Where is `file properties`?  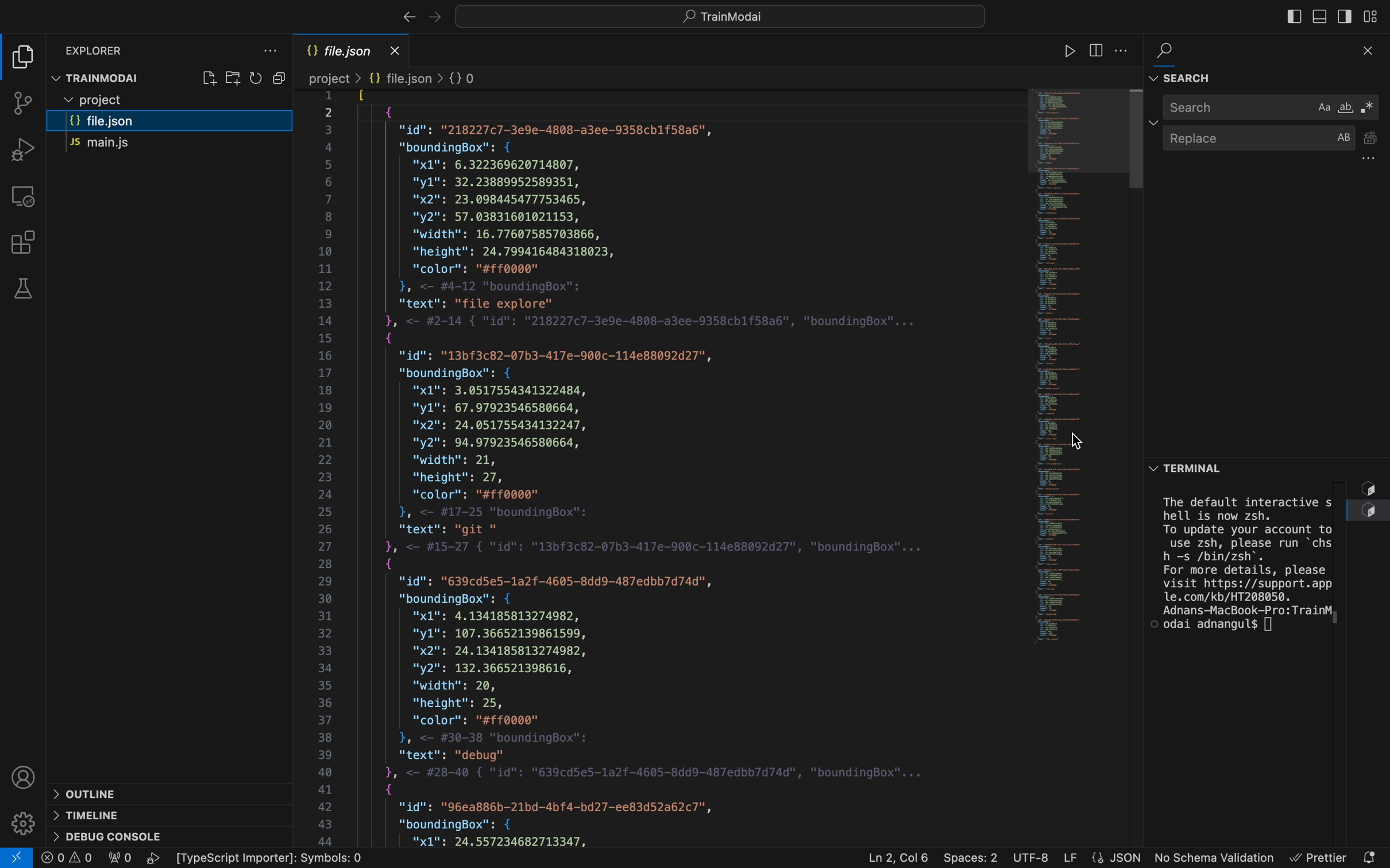
file properties is located at coordinates (1101, 858).